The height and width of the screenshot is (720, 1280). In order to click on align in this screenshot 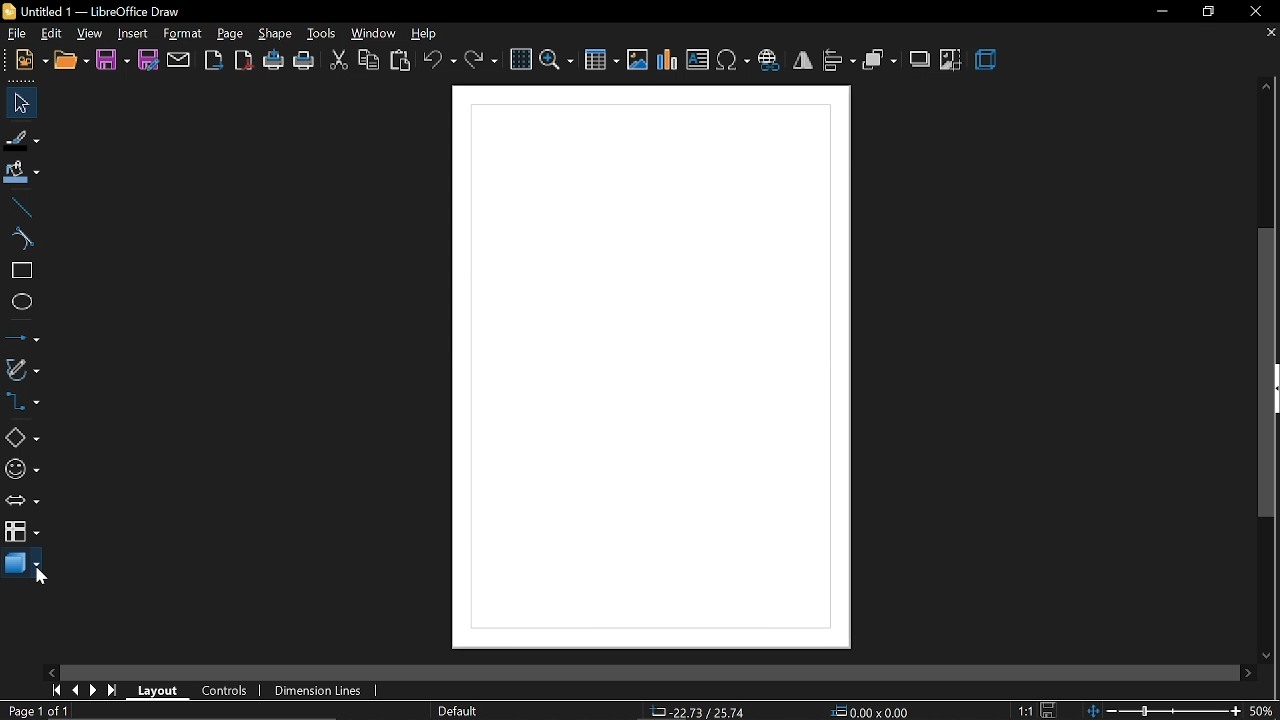, I will do `click(839, 62)`.